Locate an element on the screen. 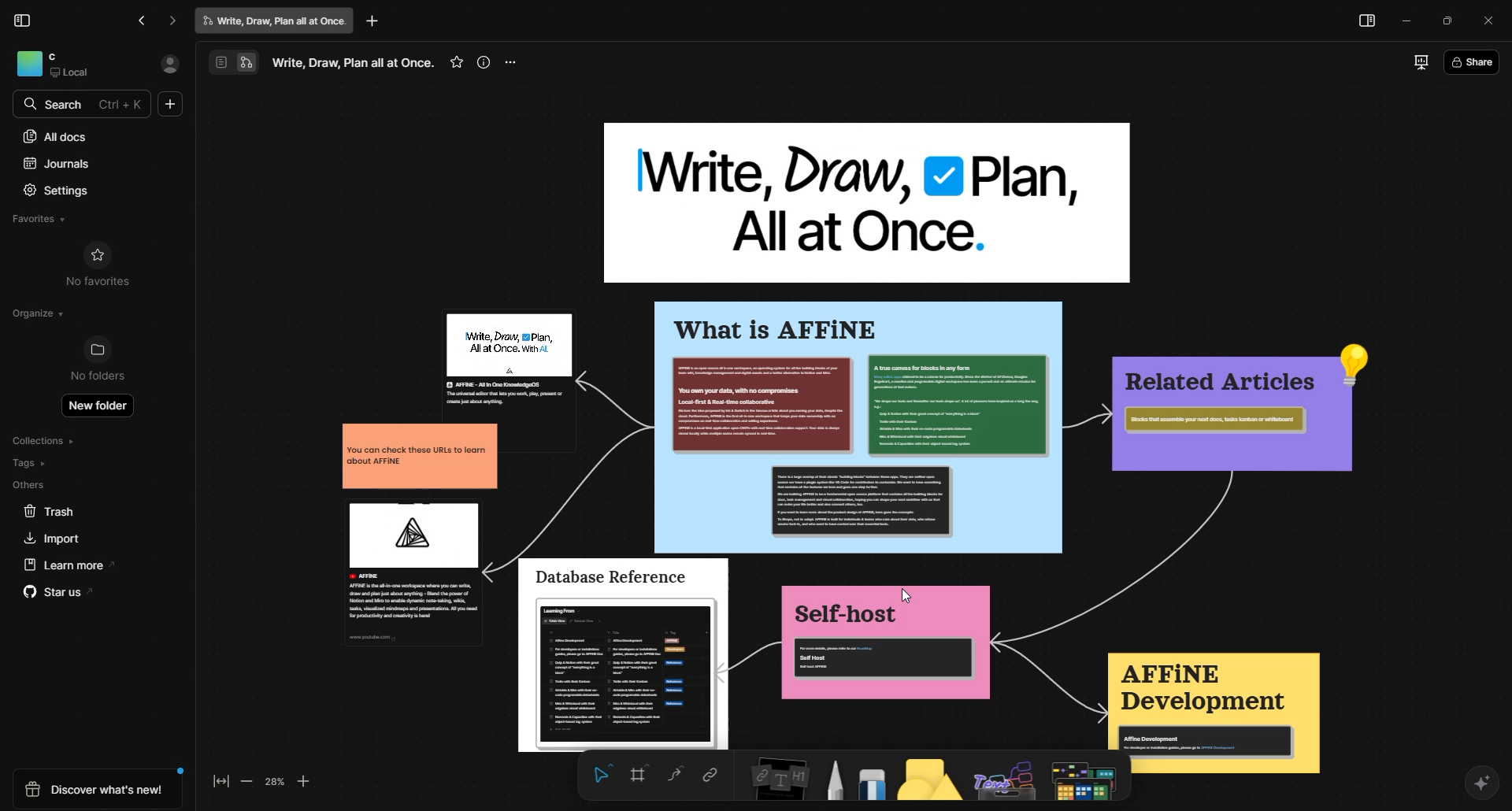 This screenshot has width=1512, height=811. Ask AI is located at coordinates (1481, 781).